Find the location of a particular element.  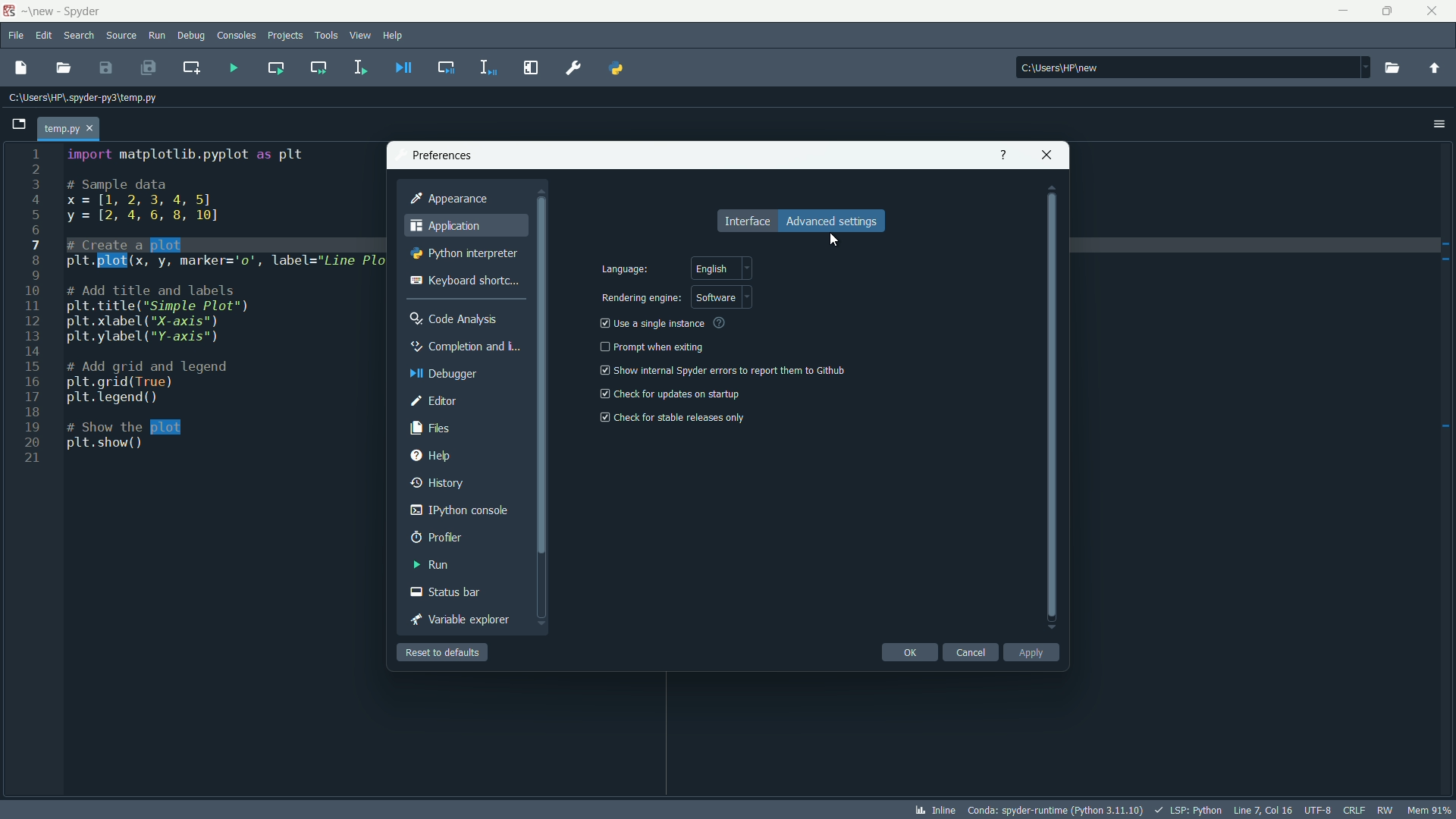

application is located at coordinates (444, 225).